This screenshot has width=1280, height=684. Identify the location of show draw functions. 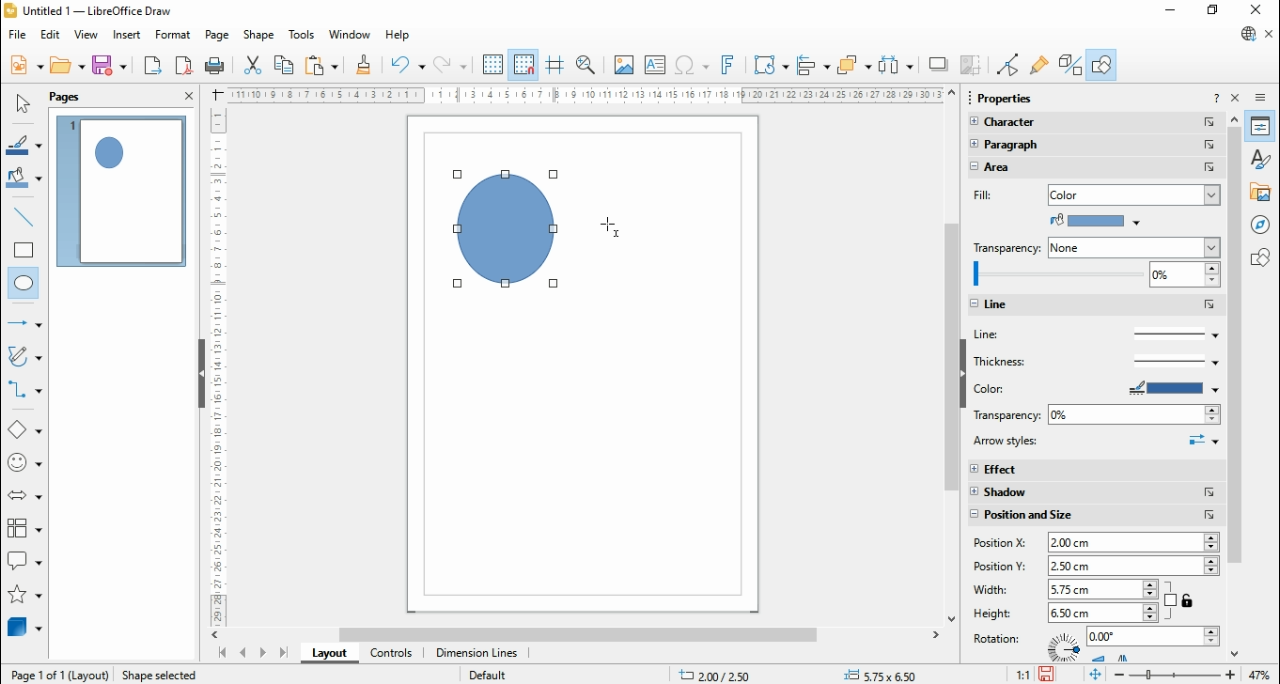
(1101, 64).